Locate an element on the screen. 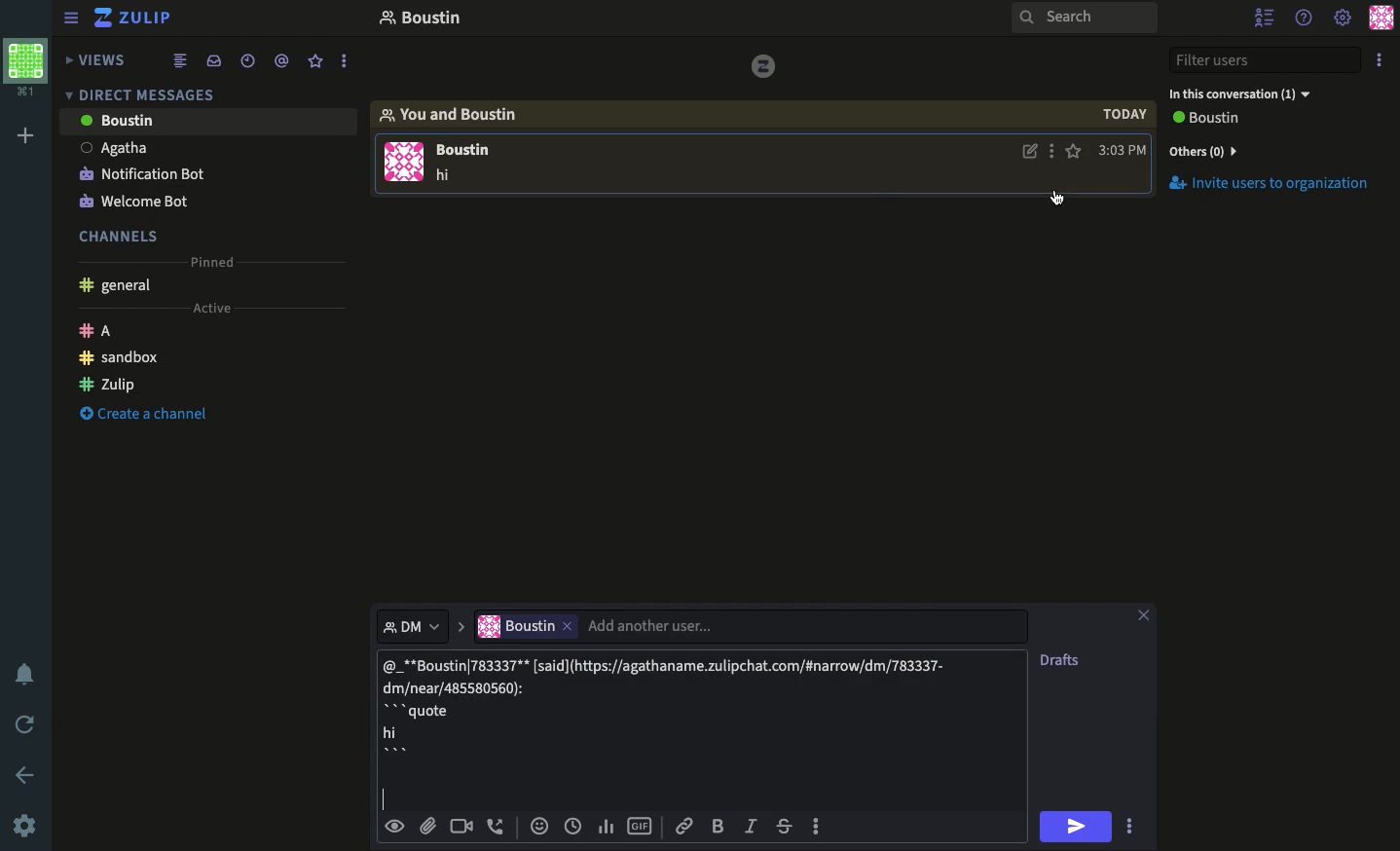 Image resolution: width=1400 pixels, height=851 pixels. Sandbox is located at coordinates (122, 357).